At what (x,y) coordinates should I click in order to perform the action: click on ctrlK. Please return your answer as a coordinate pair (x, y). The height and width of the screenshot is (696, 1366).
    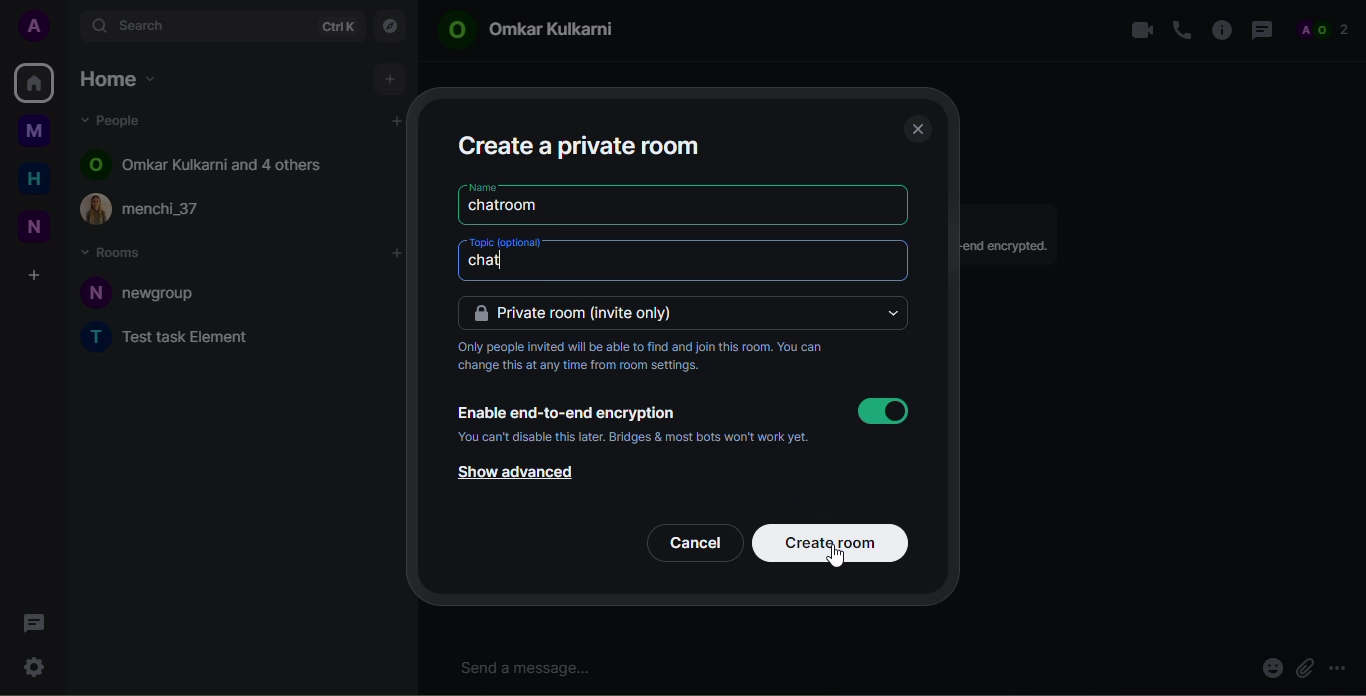
    Looking at the image, I should click on (337, 27).